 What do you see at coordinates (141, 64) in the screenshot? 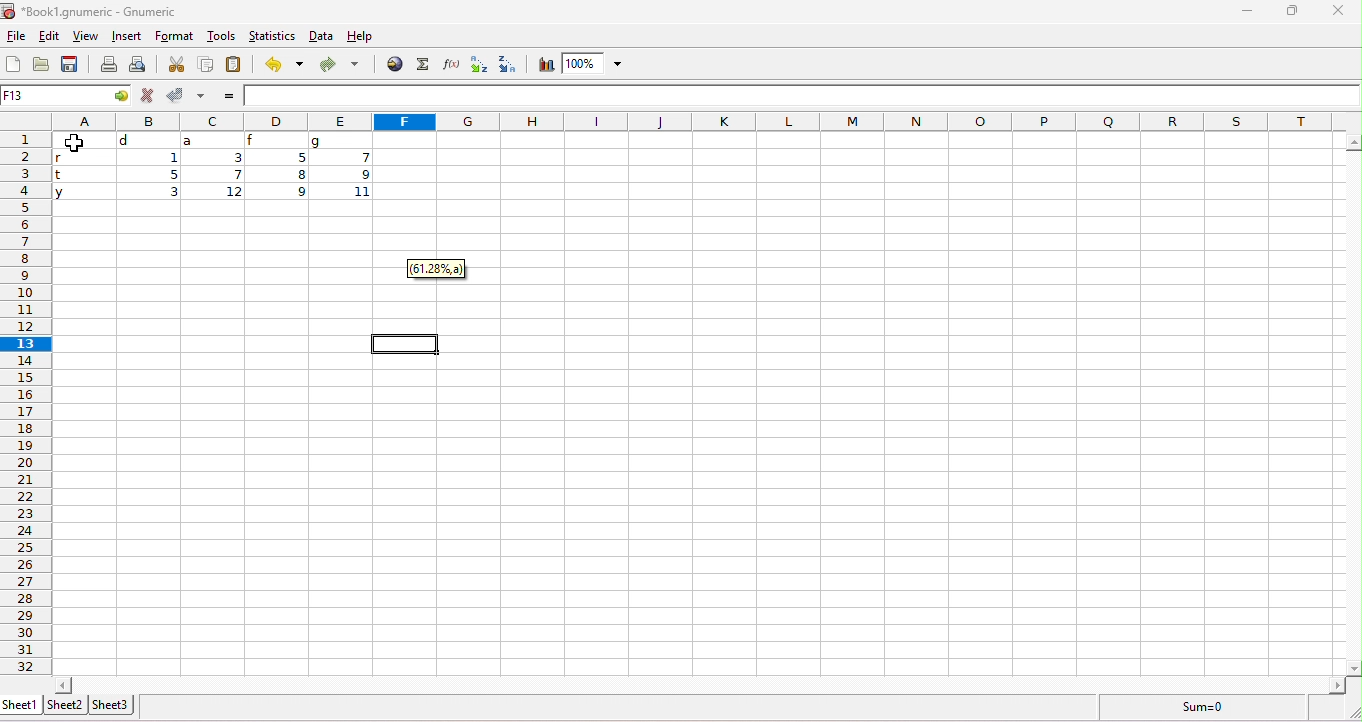
I see `print preview` at bounding box center [141, 64].